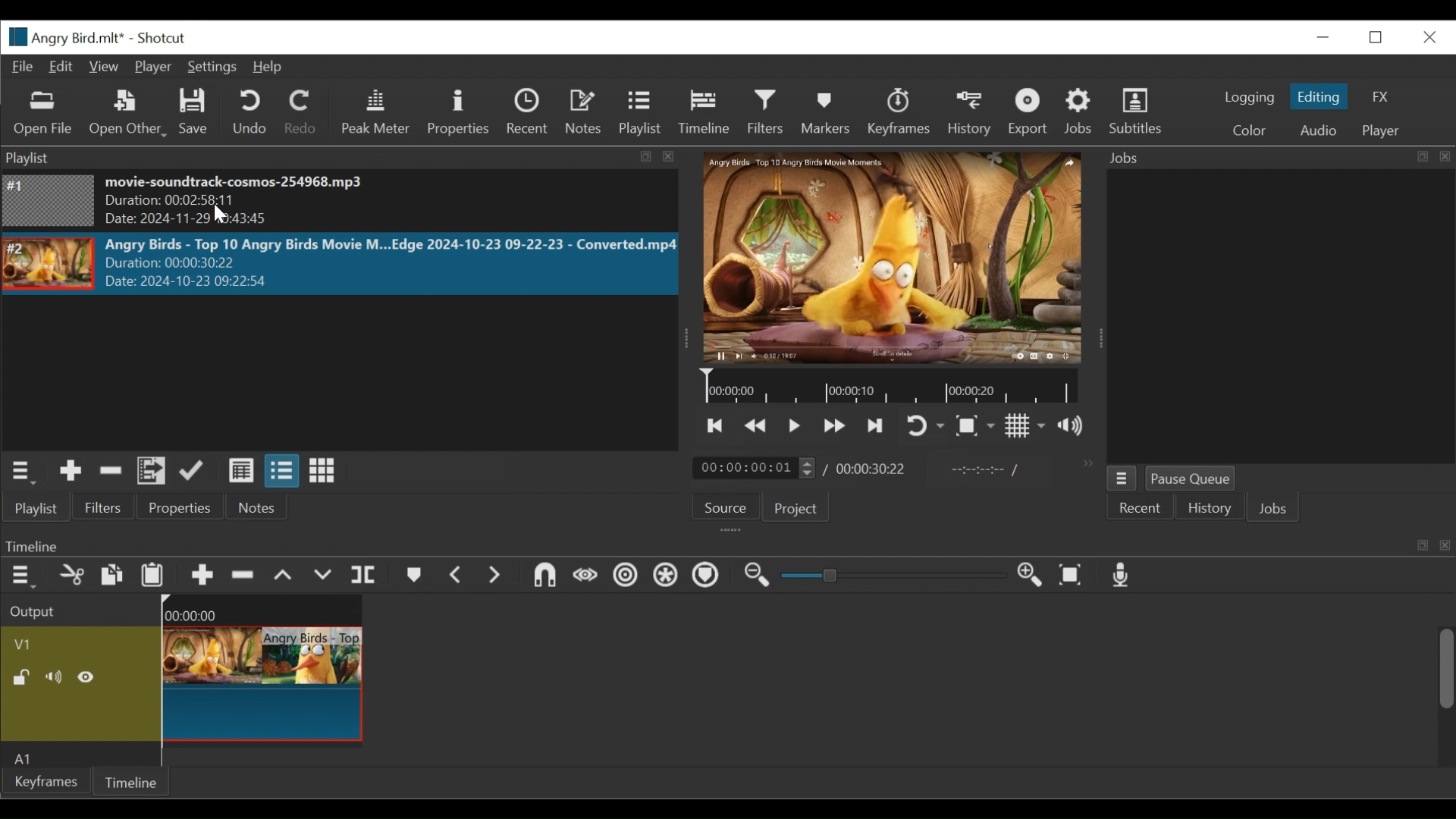 The height and width of the screenshot is (819, 1456). I want to click on Recent, so click(1136, 510).